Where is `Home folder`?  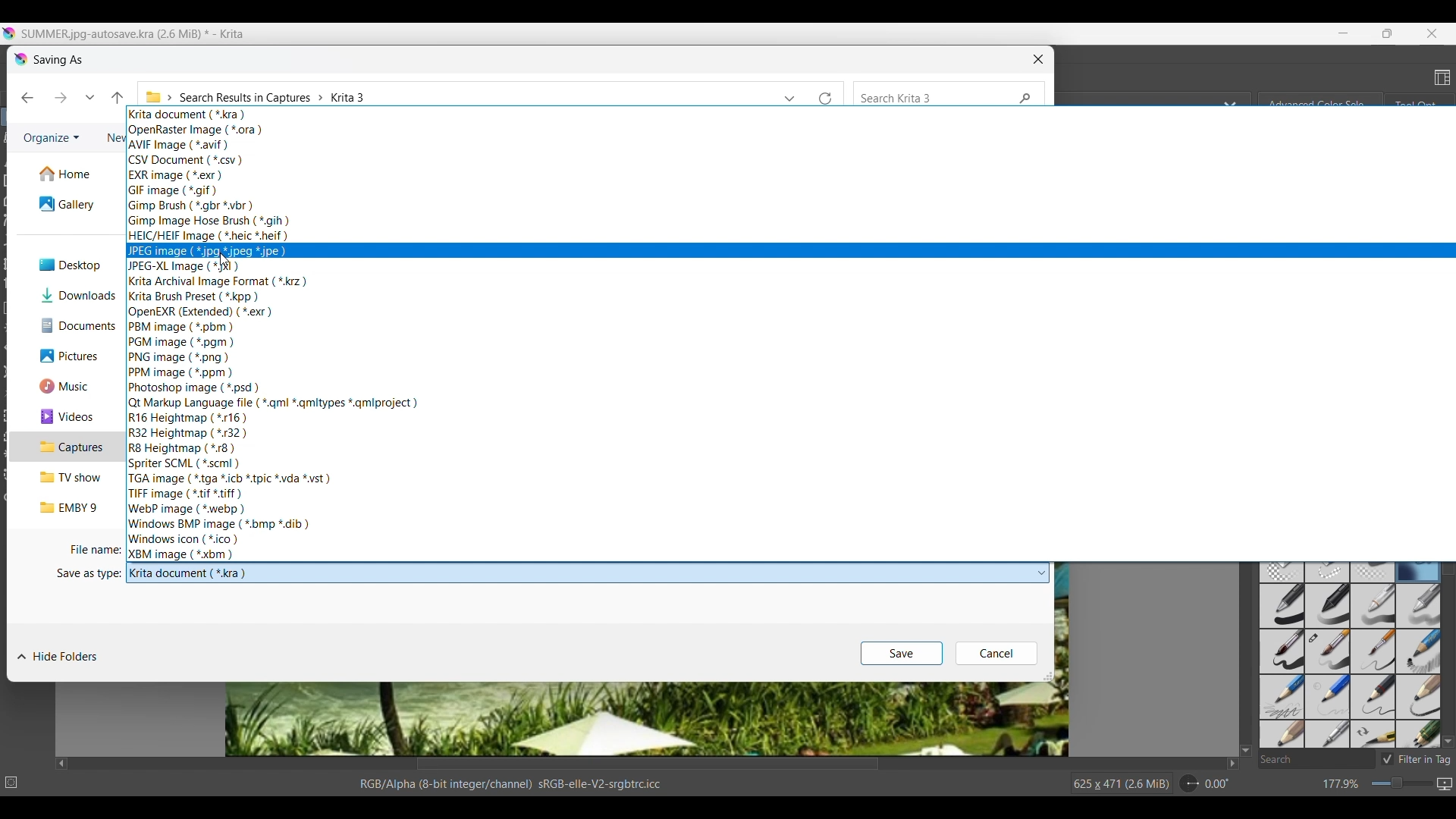 Home folder is located at coordinates (67, 174).